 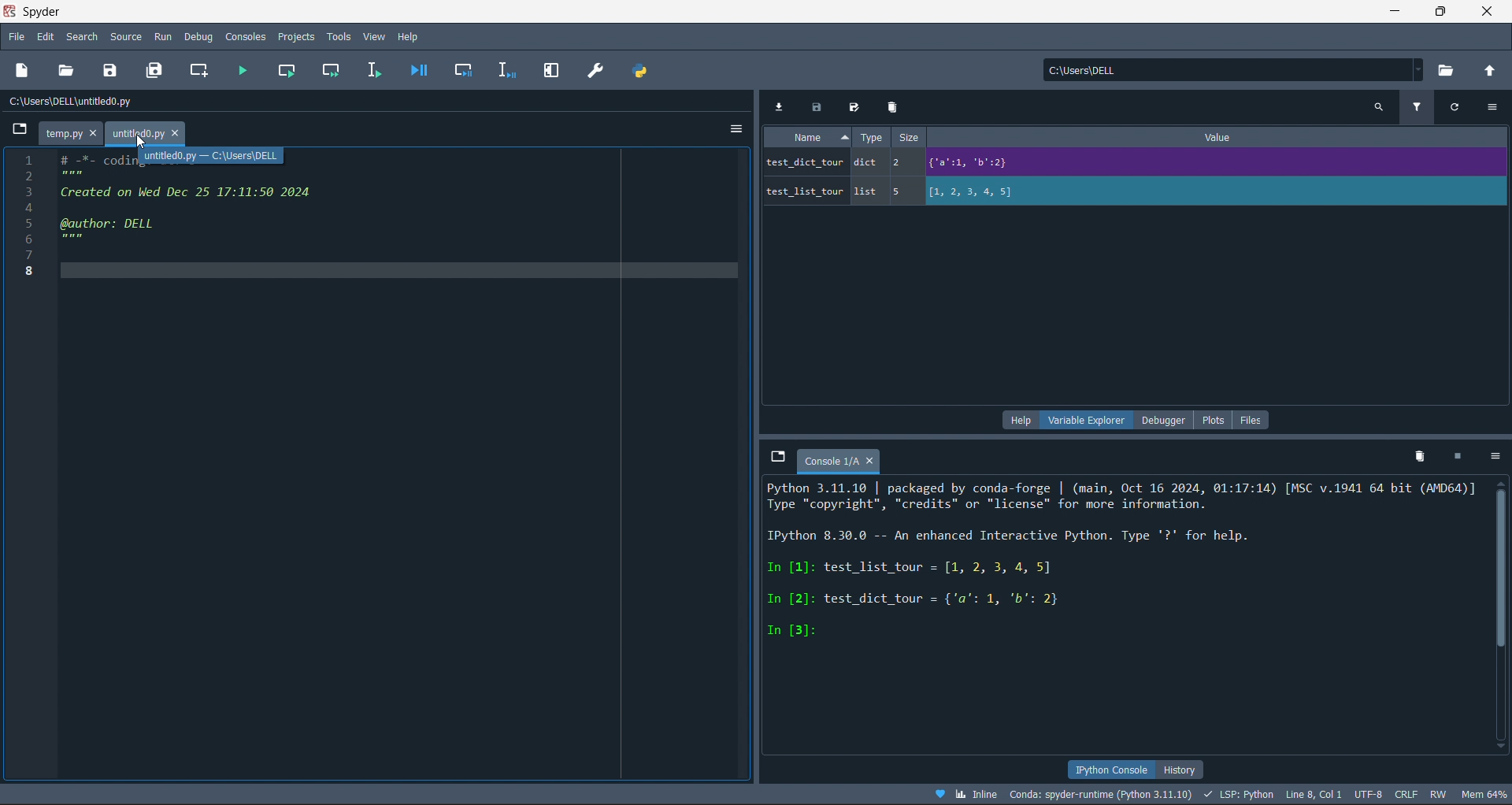 What do you see at coordinates (69, 69) in the screenshot?
I see `open file` at bounding box center [69, 69].